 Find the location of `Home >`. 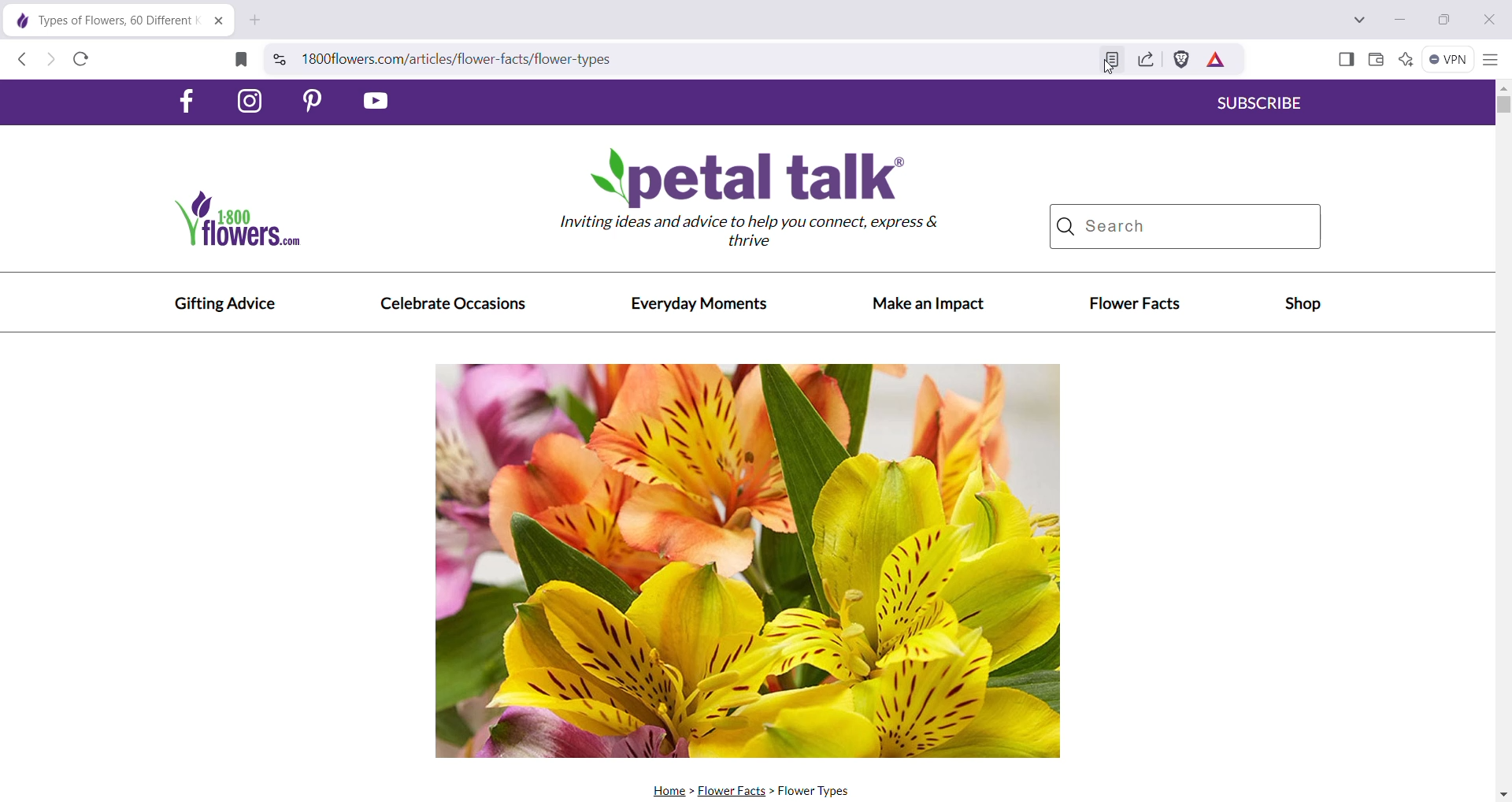

Home > is located at coordinates (669, 790).